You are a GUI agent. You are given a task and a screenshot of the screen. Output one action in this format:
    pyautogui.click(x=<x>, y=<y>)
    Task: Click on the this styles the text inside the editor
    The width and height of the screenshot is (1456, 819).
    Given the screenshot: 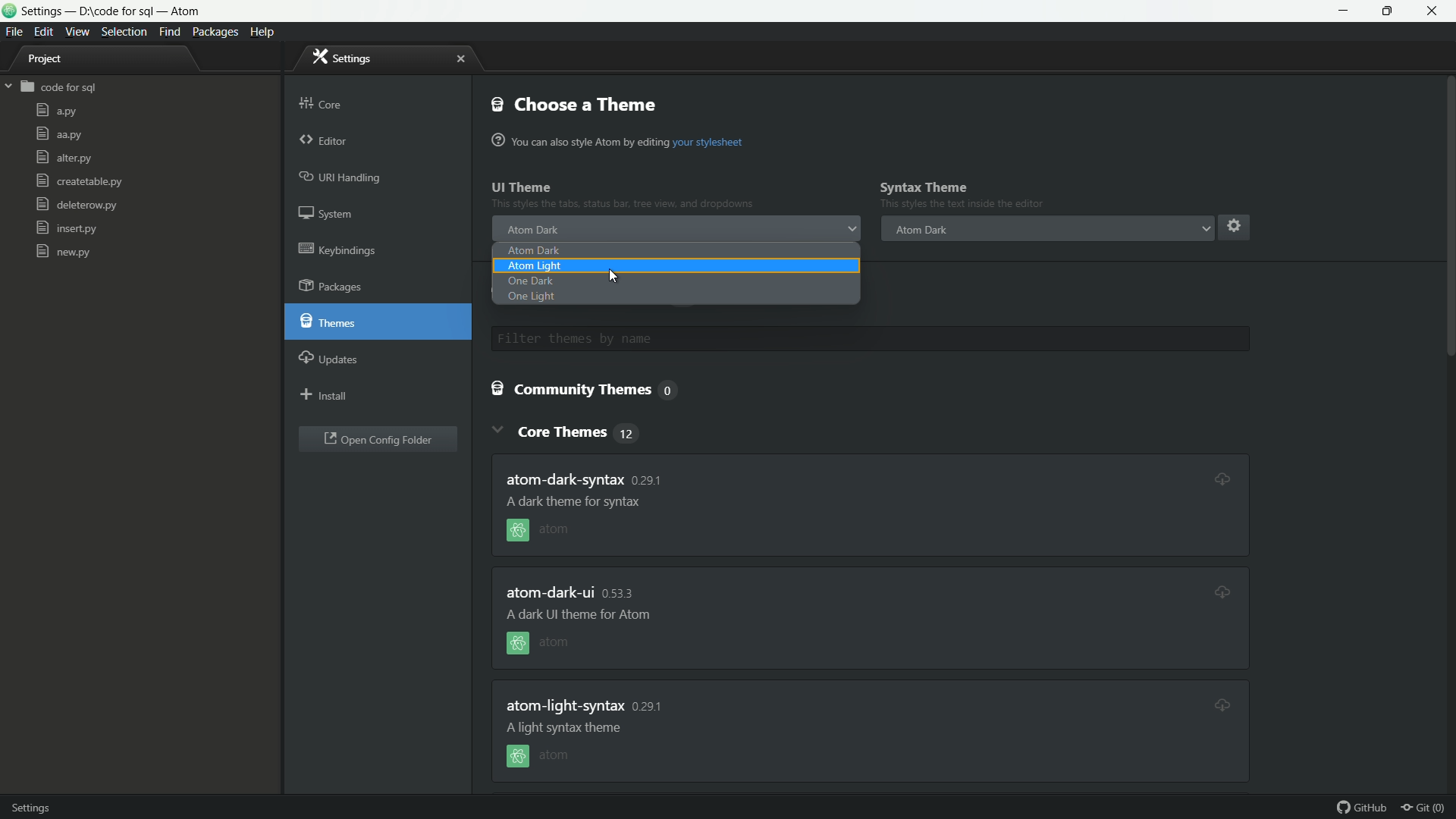 What is the action you would take?
    pyautogui.click(x=968, y=206)
    